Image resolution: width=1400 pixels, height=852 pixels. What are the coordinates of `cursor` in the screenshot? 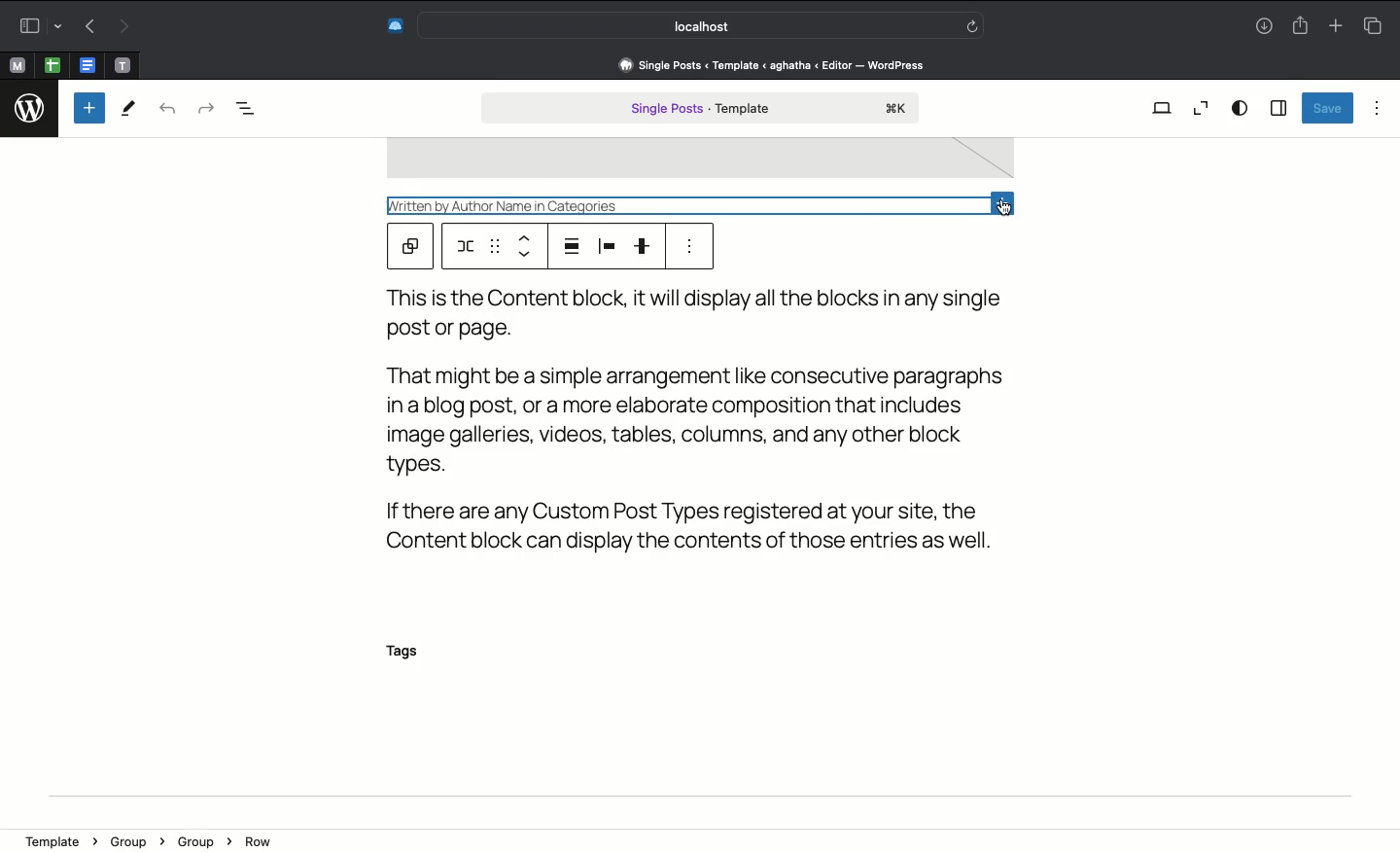 It's located at (1004, 212).